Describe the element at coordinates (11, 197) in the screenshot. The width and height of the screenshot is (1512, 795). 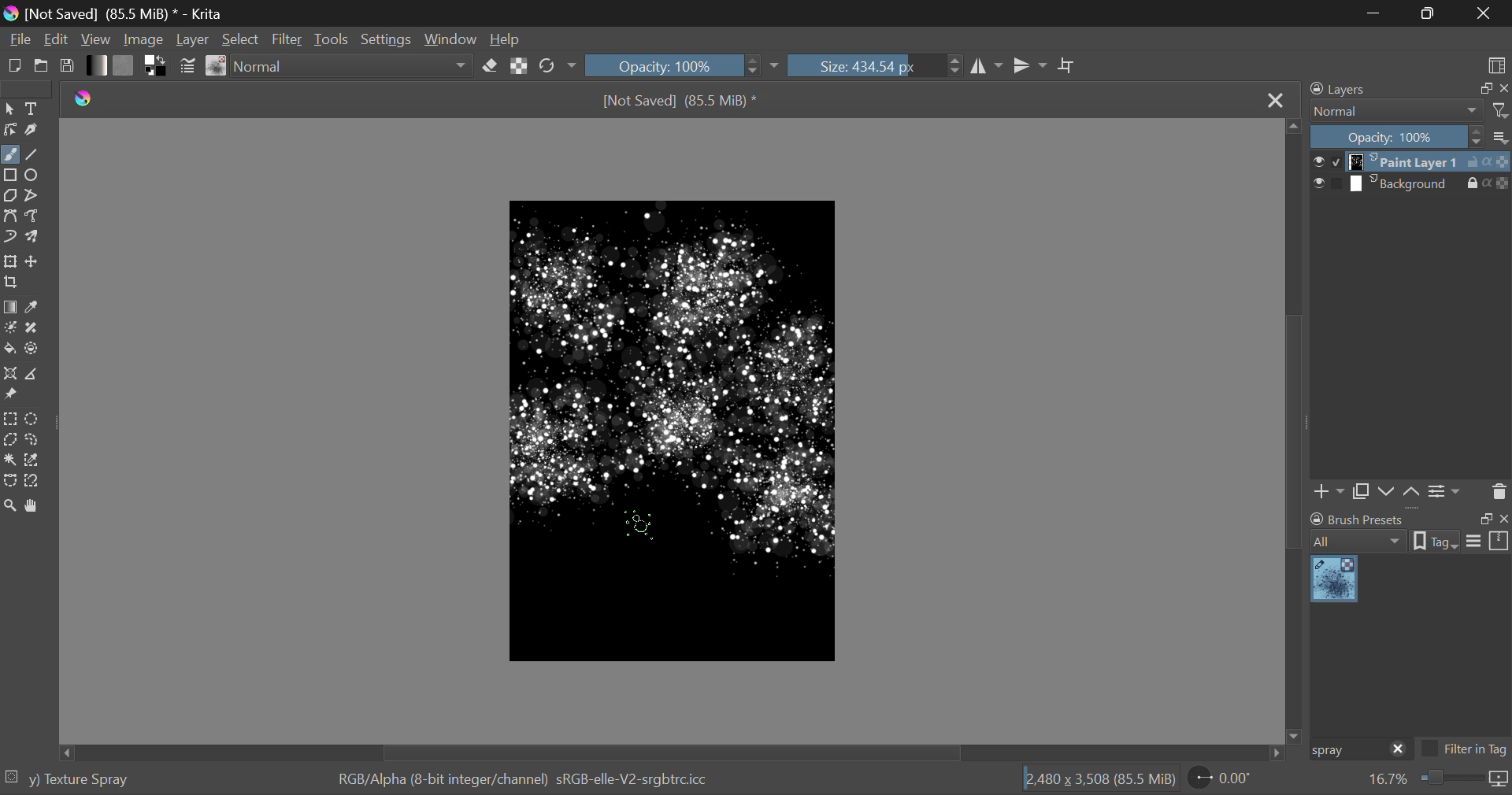
I see `Polygon` at that location.